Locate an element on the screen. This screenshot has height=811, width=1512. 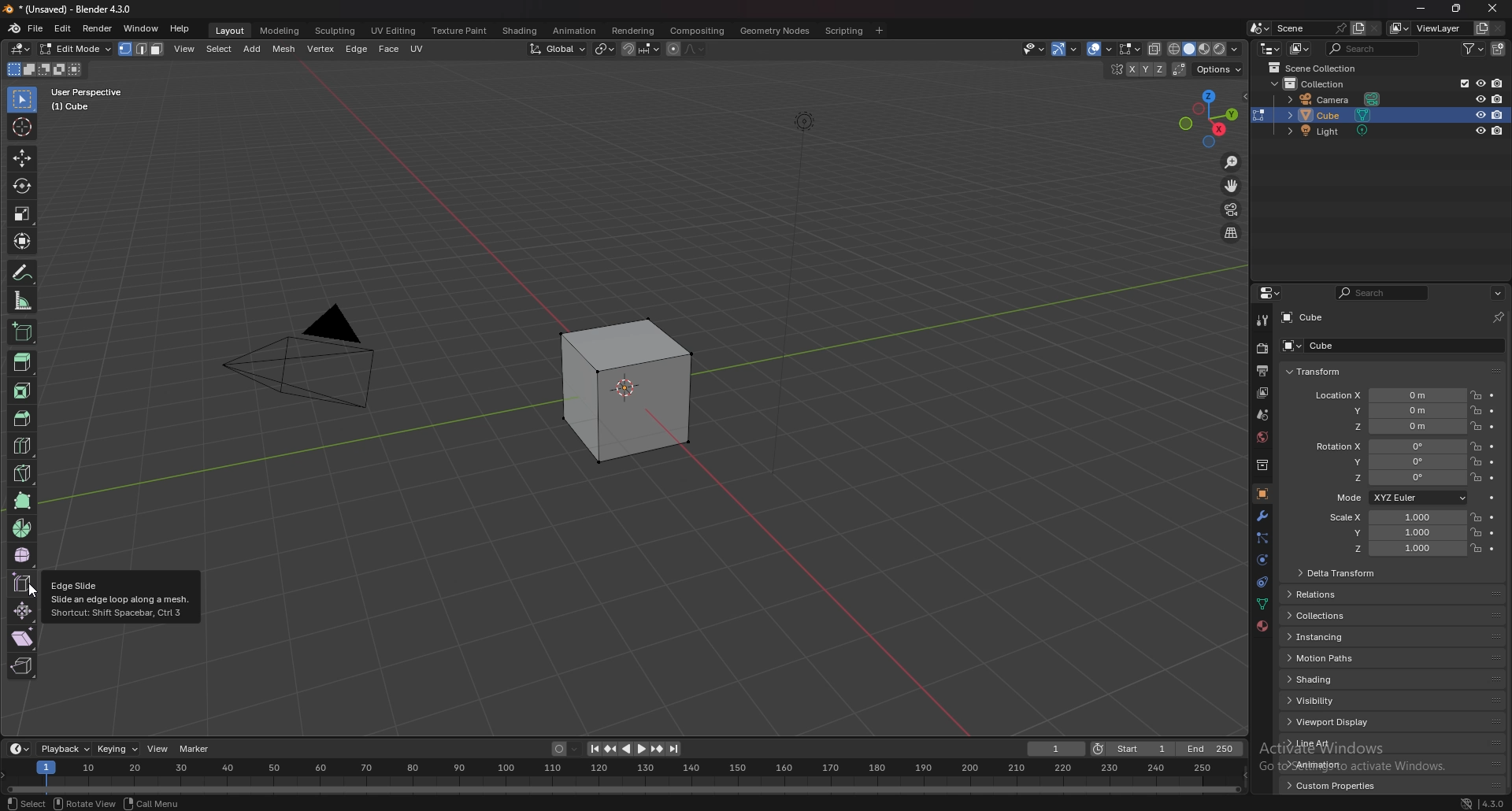
add workspace is located at coordinates (880, 31).